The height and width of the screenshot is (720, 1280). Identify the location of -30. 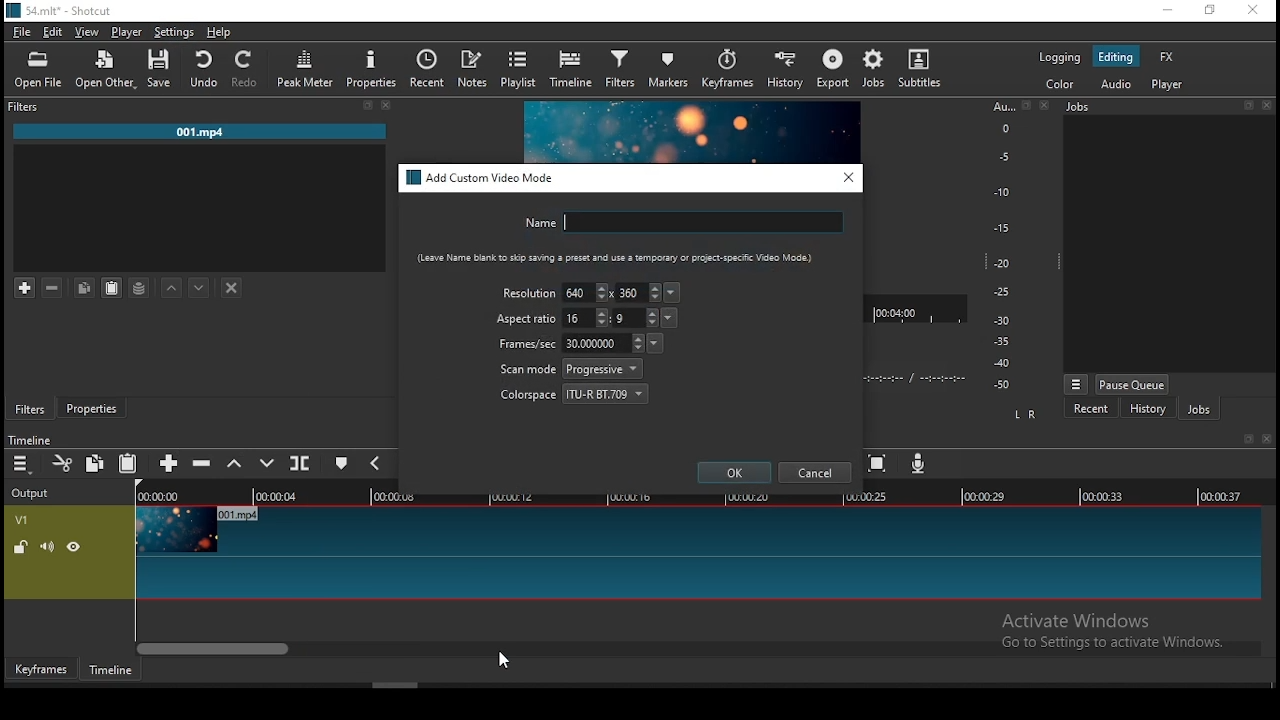
(1005, 320).